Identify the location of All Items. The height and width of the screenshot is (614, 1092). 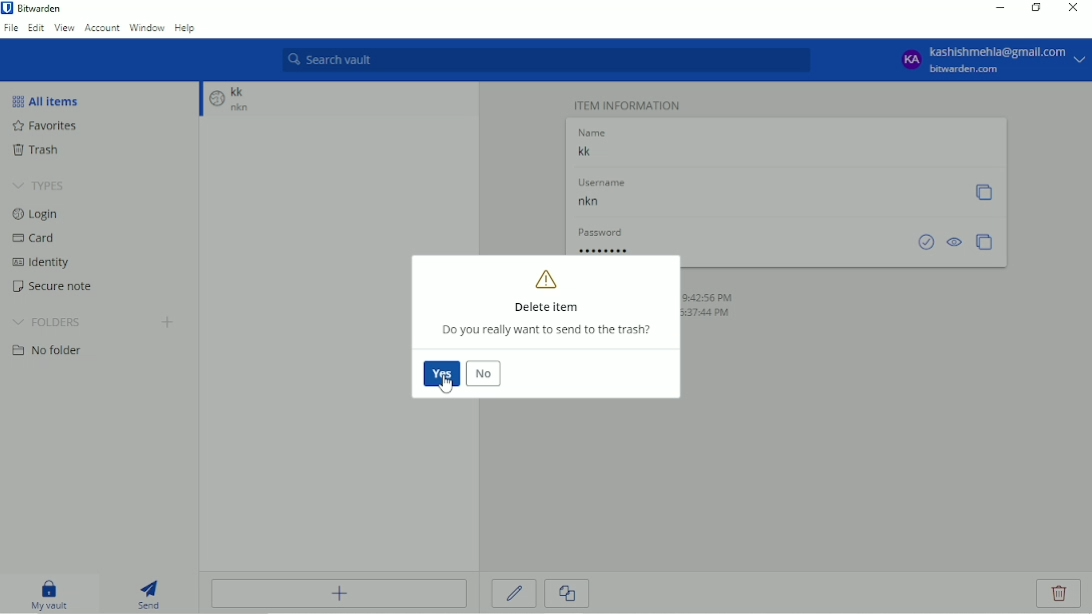
(45, 100).